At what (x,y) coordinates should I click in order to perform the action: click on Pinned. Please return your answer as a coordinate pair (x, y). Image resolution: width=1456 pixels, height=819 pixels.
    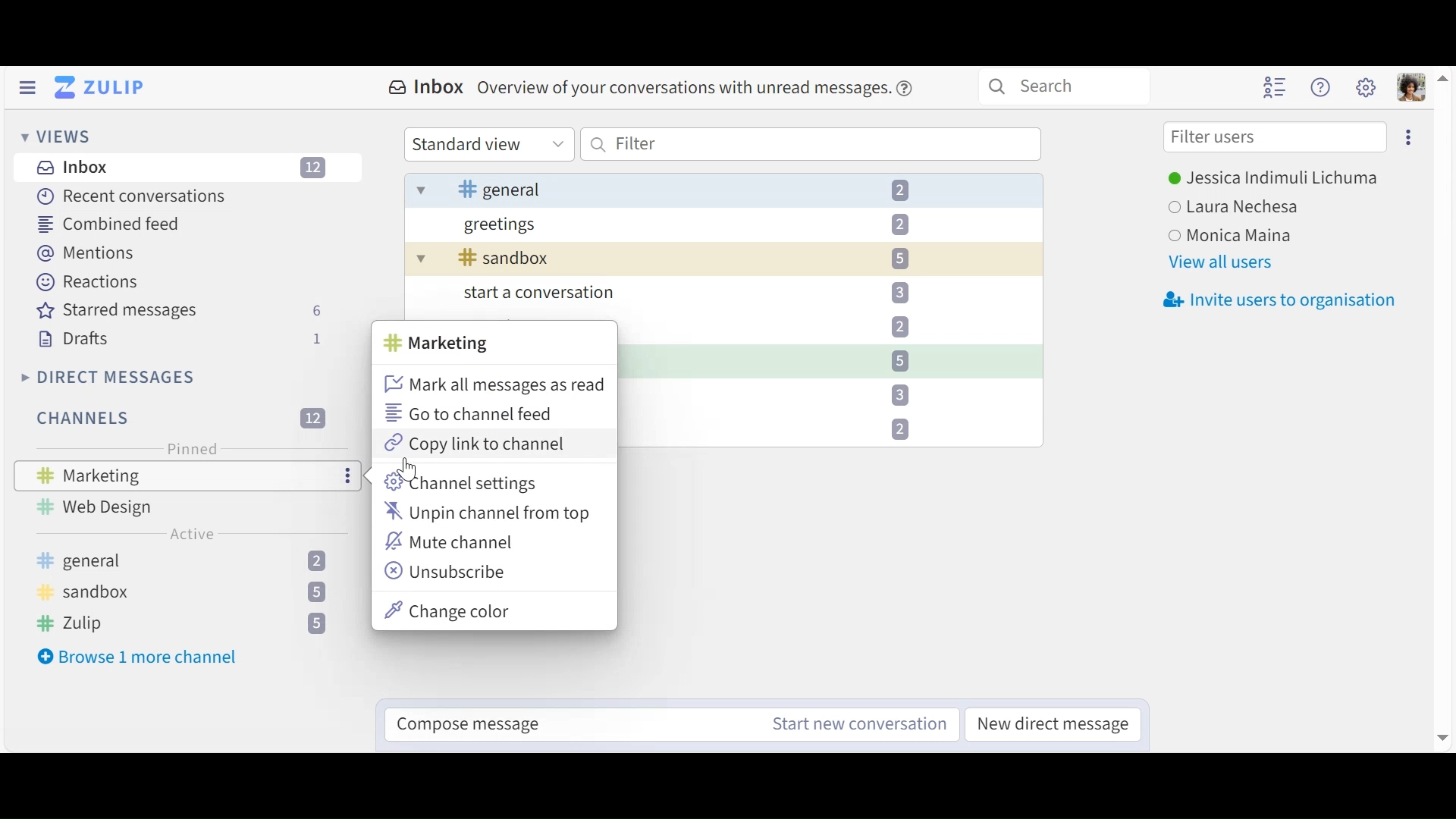
    Looking at the image, I should click on (189, 450).